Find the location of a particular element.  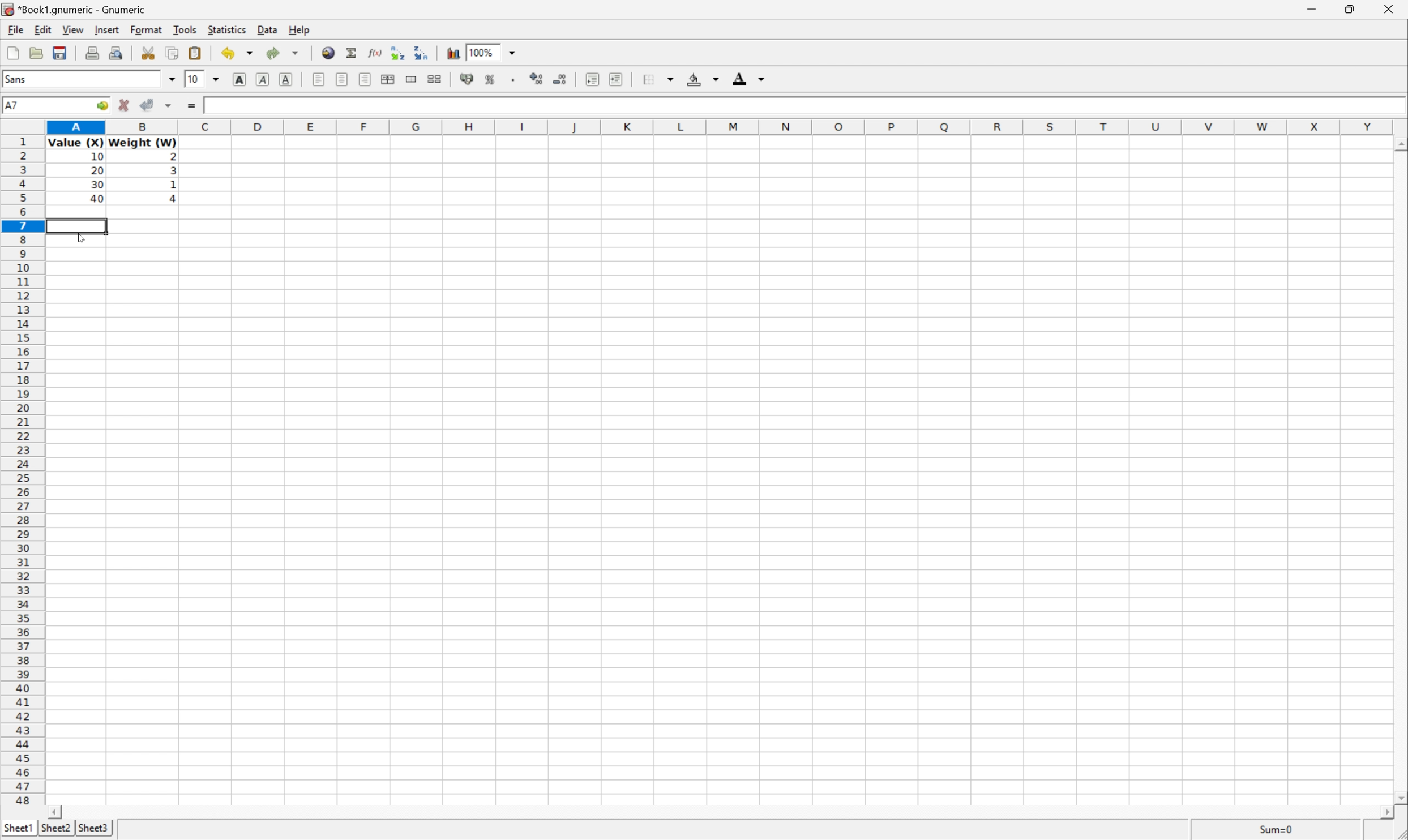

Sort the selected region in descending order based on the first column selected is located at coordinates (422, 53).